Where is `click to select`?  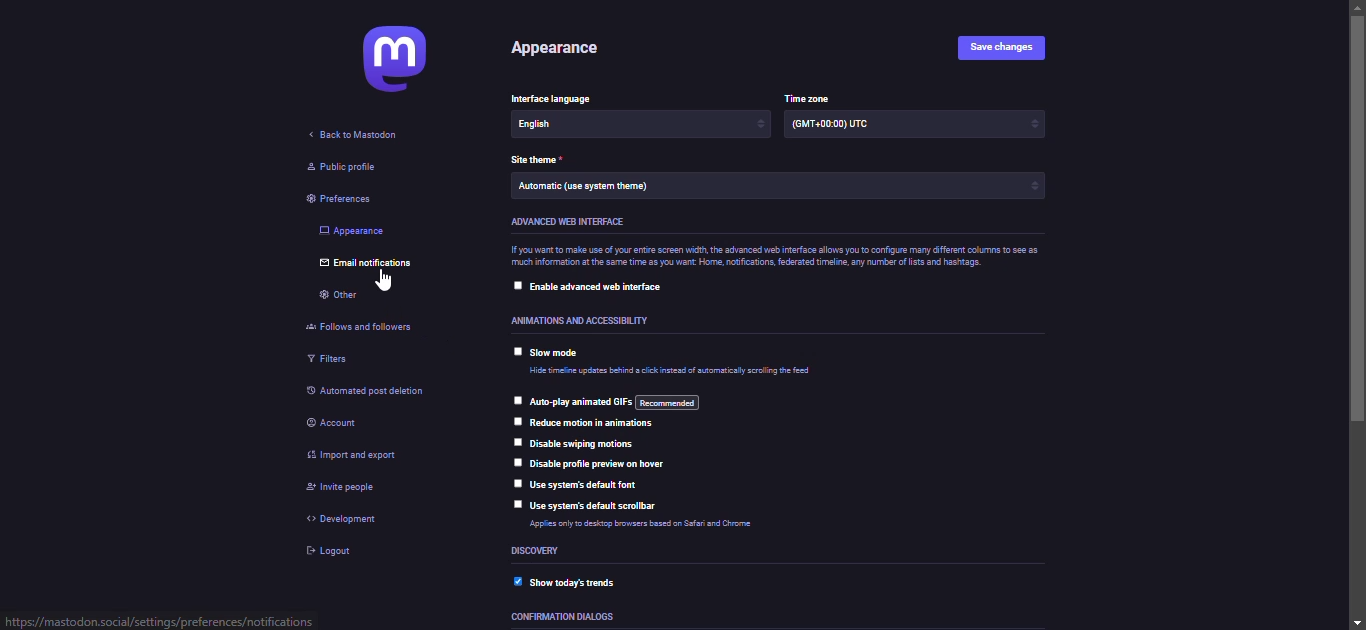
click to select is located at coordinates (512, 505).